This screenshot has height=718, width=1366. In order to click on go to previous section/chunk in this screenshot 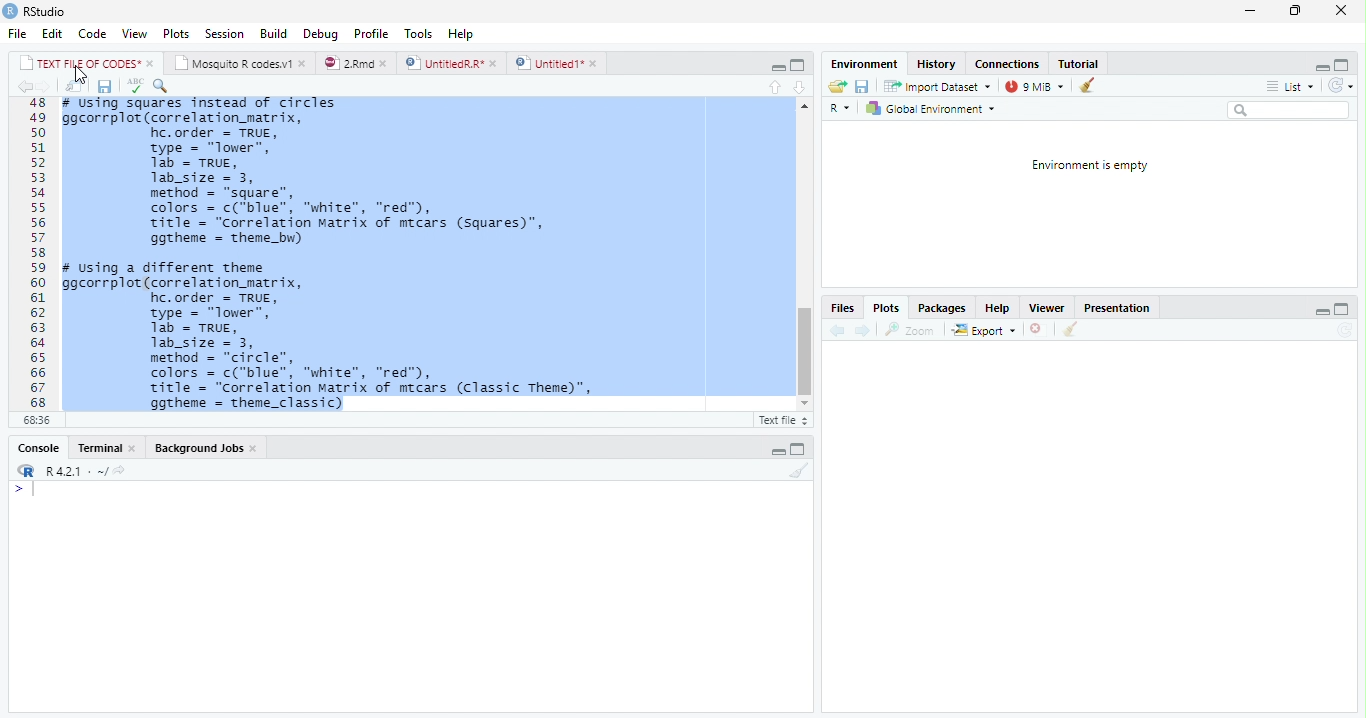, I will do `click(774, 87)`.